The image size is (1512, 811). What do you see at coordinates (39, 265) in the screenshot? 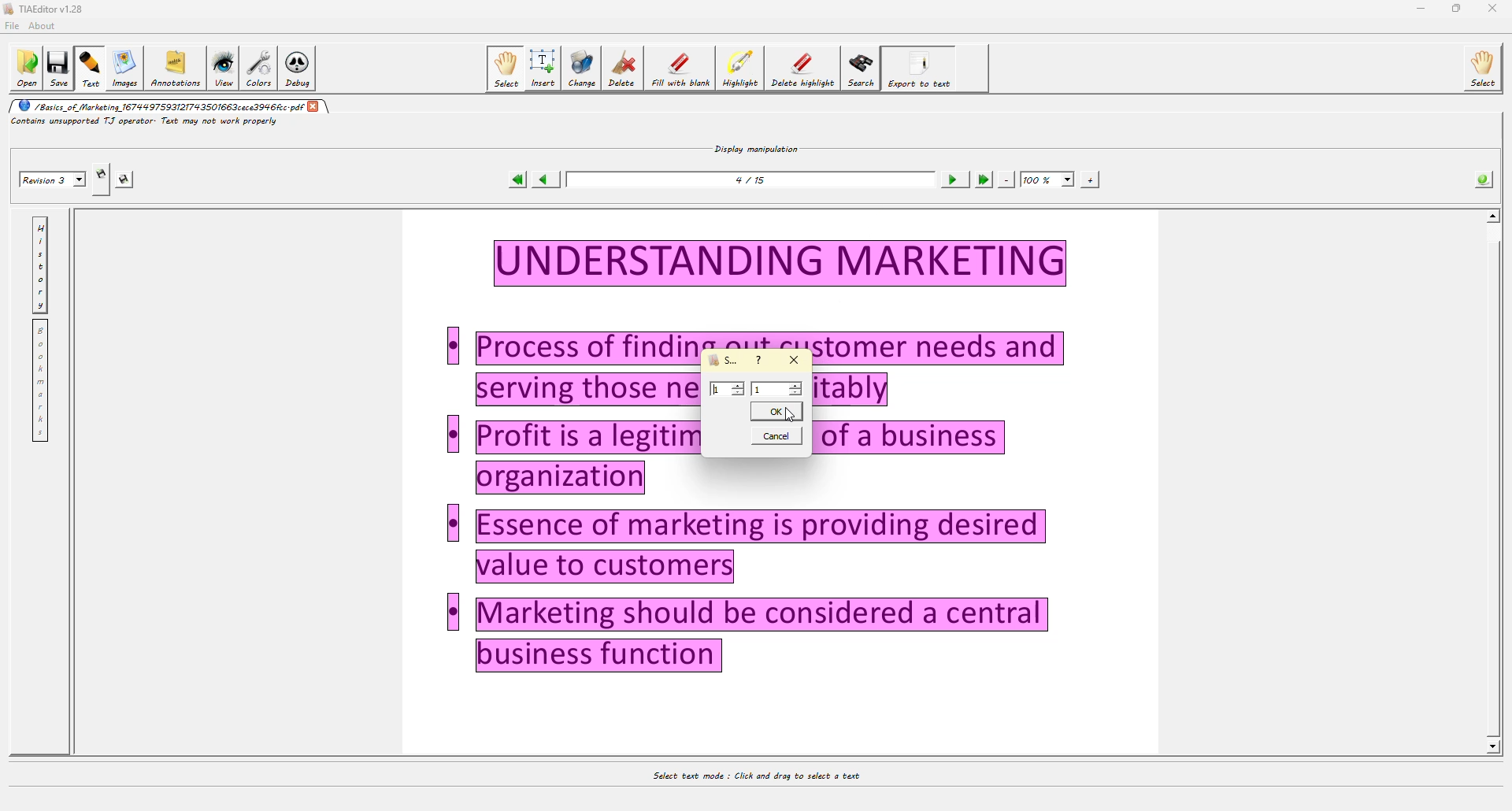
I see `history` at bounding box center [39, 265].